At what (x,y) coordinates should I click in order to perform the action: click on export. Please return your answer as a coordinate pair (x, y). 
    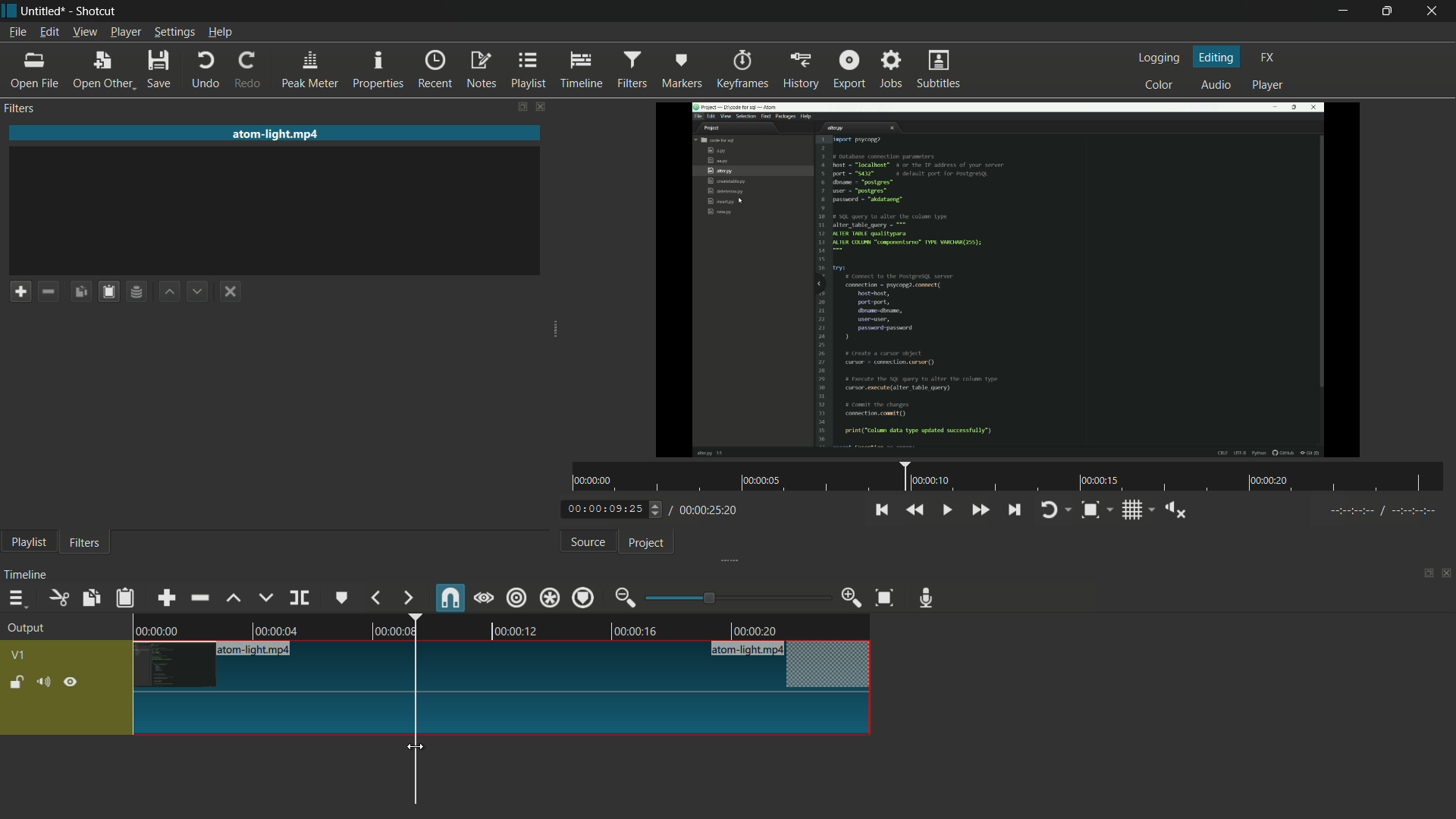
    Looking at the image, I should click on (849, 67).